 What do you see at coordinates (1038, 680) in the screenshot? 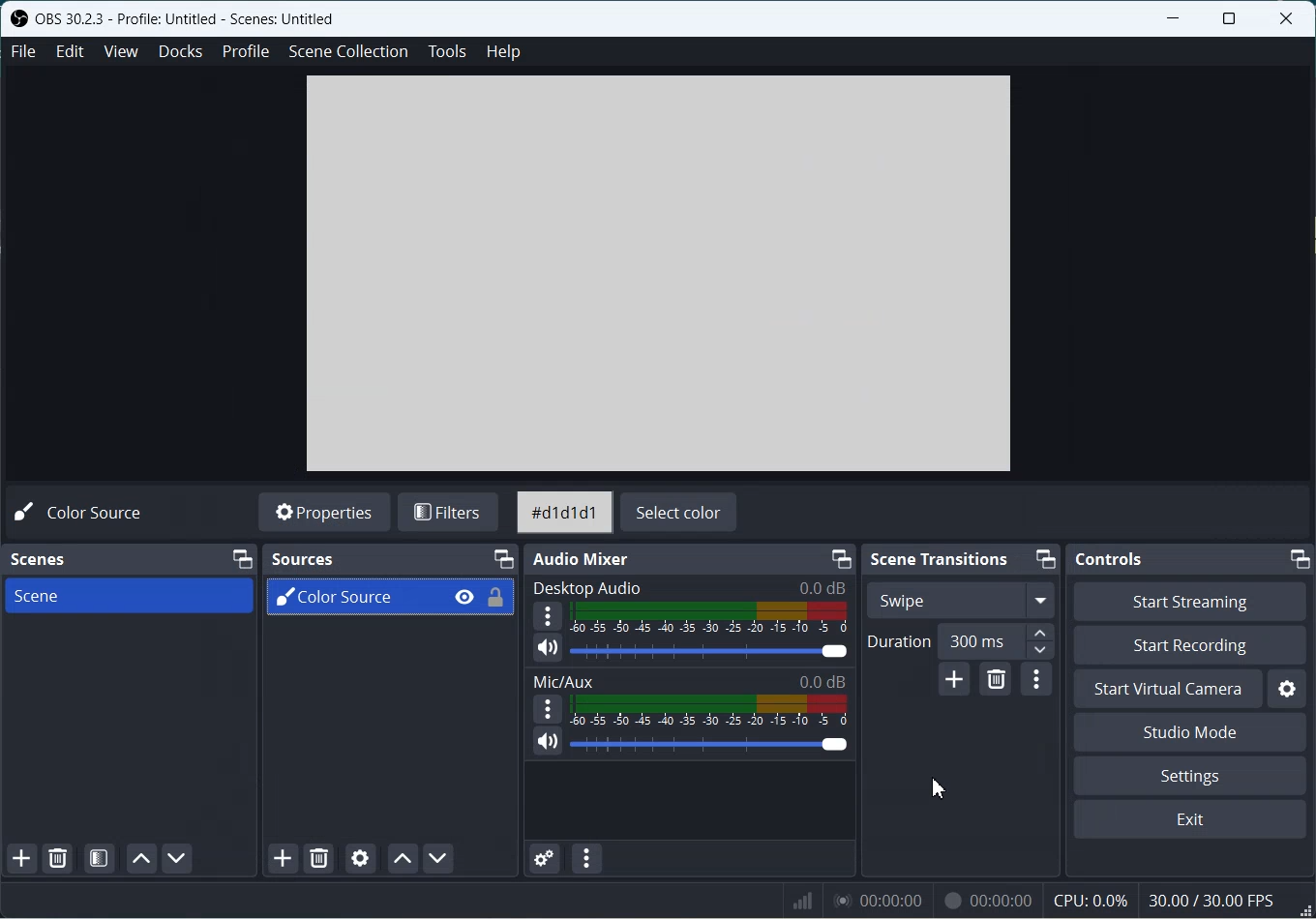
I see `Transition properties` at bounding box center [1038, 680].